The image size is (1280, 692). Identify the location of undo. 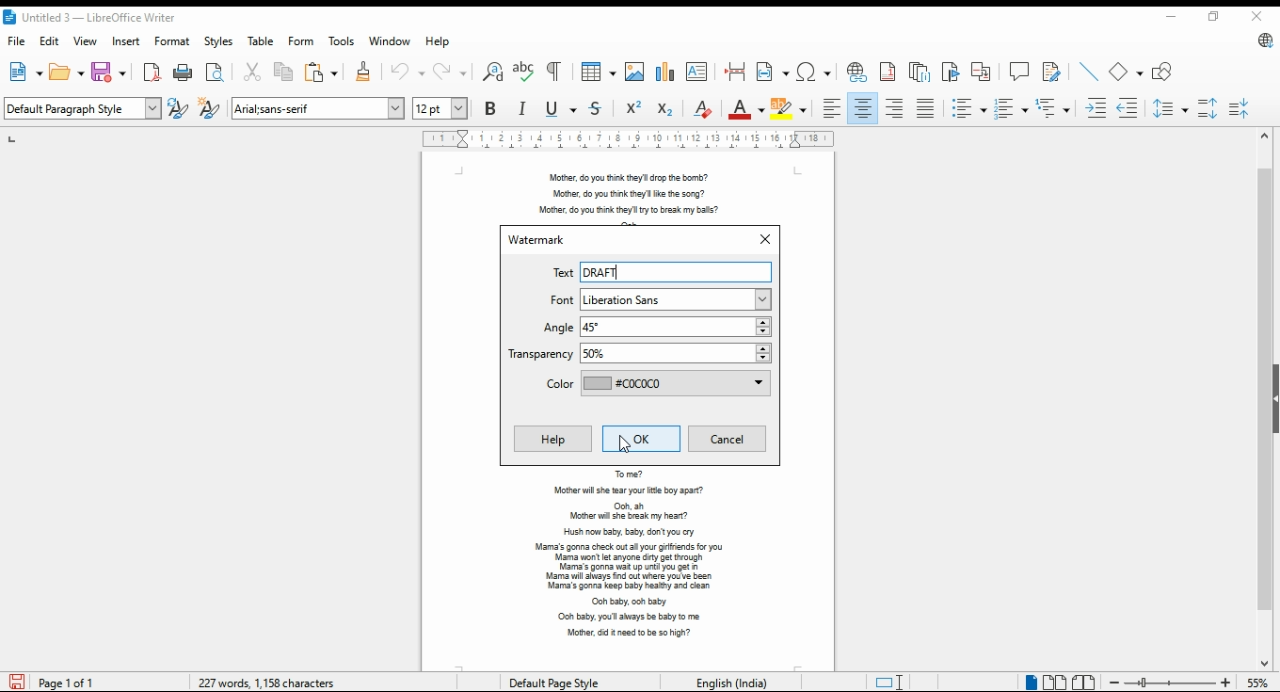
(408, 72).